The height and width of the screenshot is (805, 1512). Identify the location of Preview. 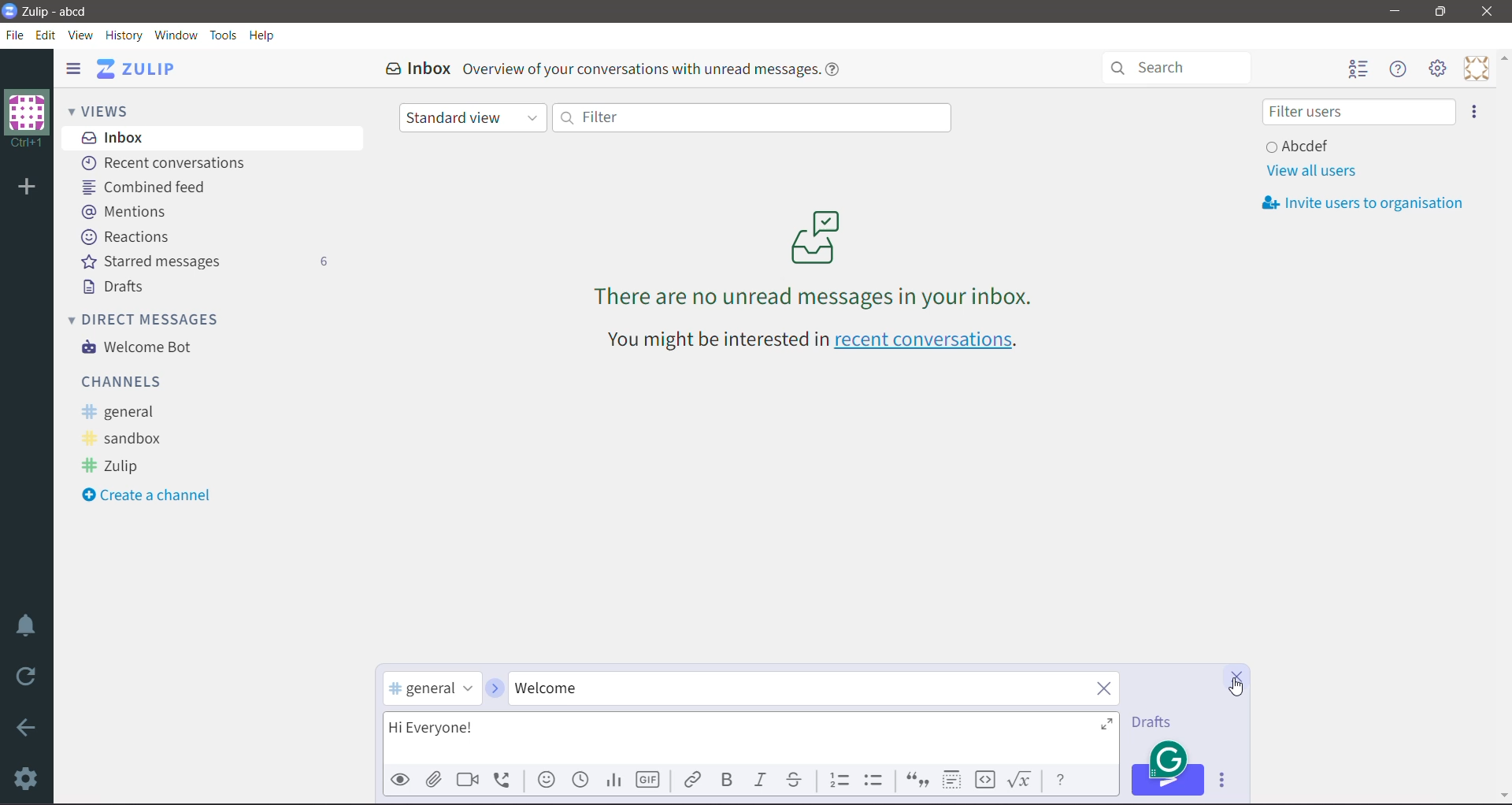
(401, 779).